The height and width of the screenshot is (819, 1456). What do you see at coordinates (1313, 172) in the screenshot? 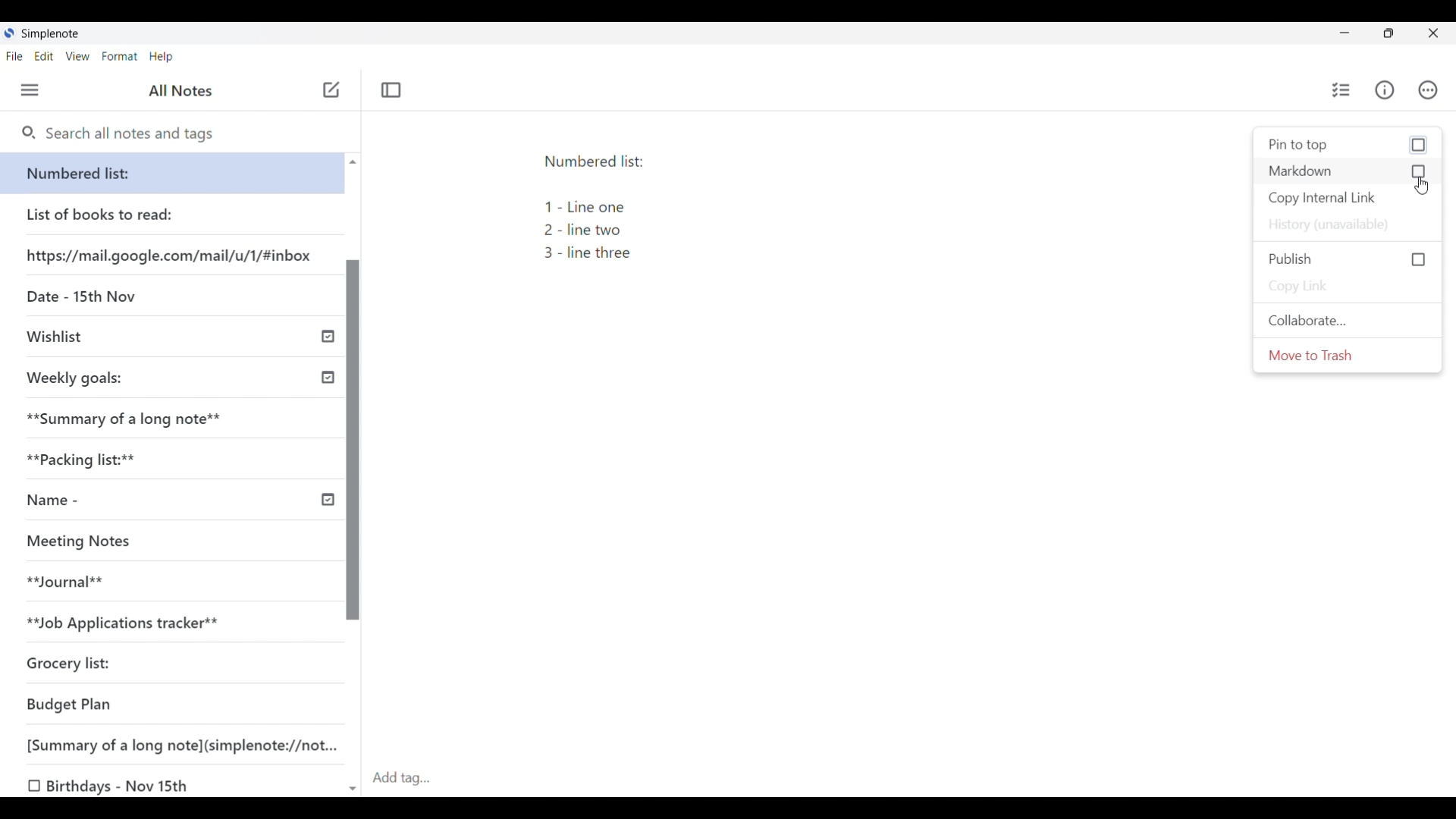
I see `Markdown` at bounding box center [1313, 172].